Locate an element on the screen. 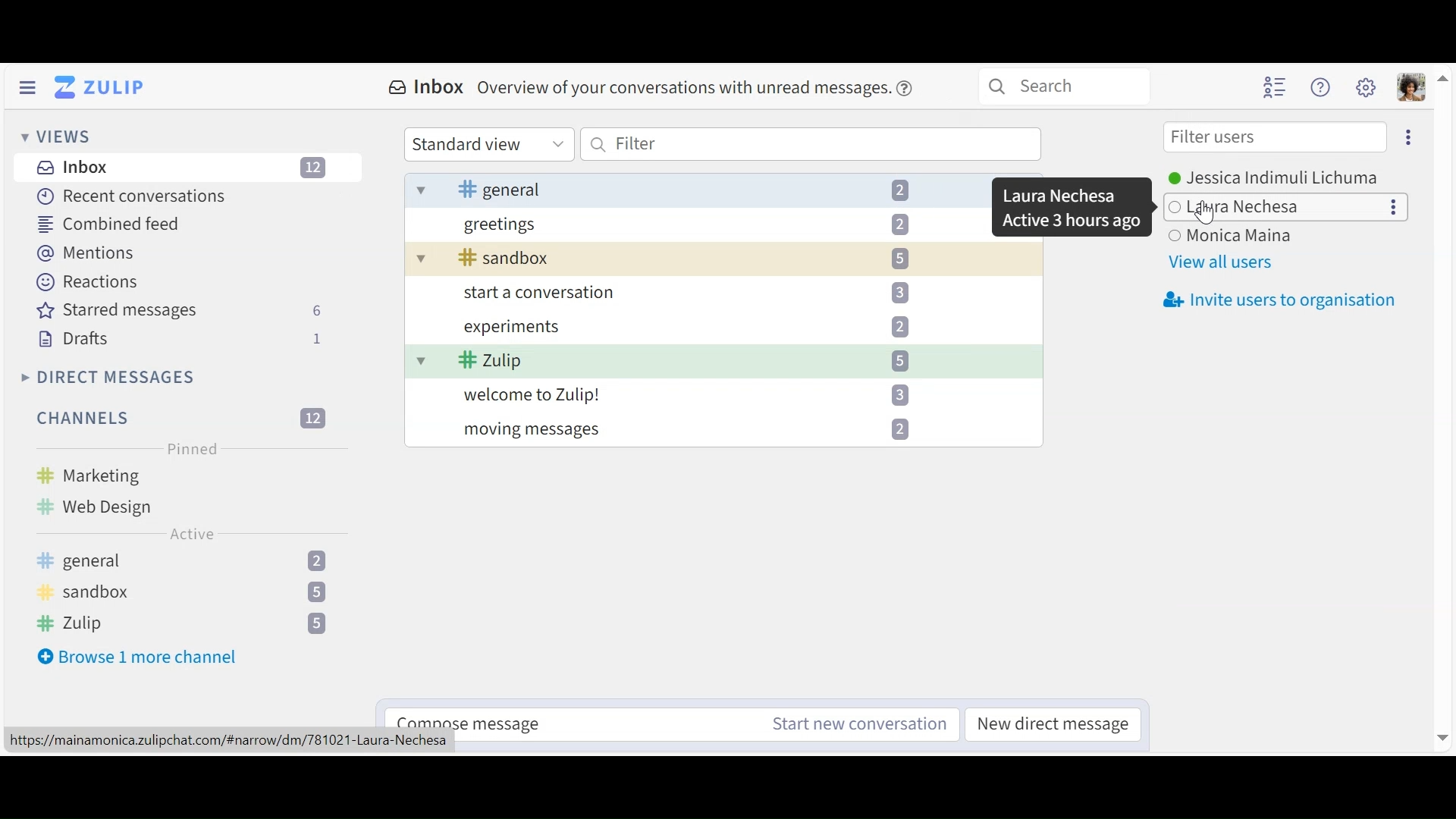 This screenshot has height=819, width=1456. Personal menu is located at coordinates (1412, 86).